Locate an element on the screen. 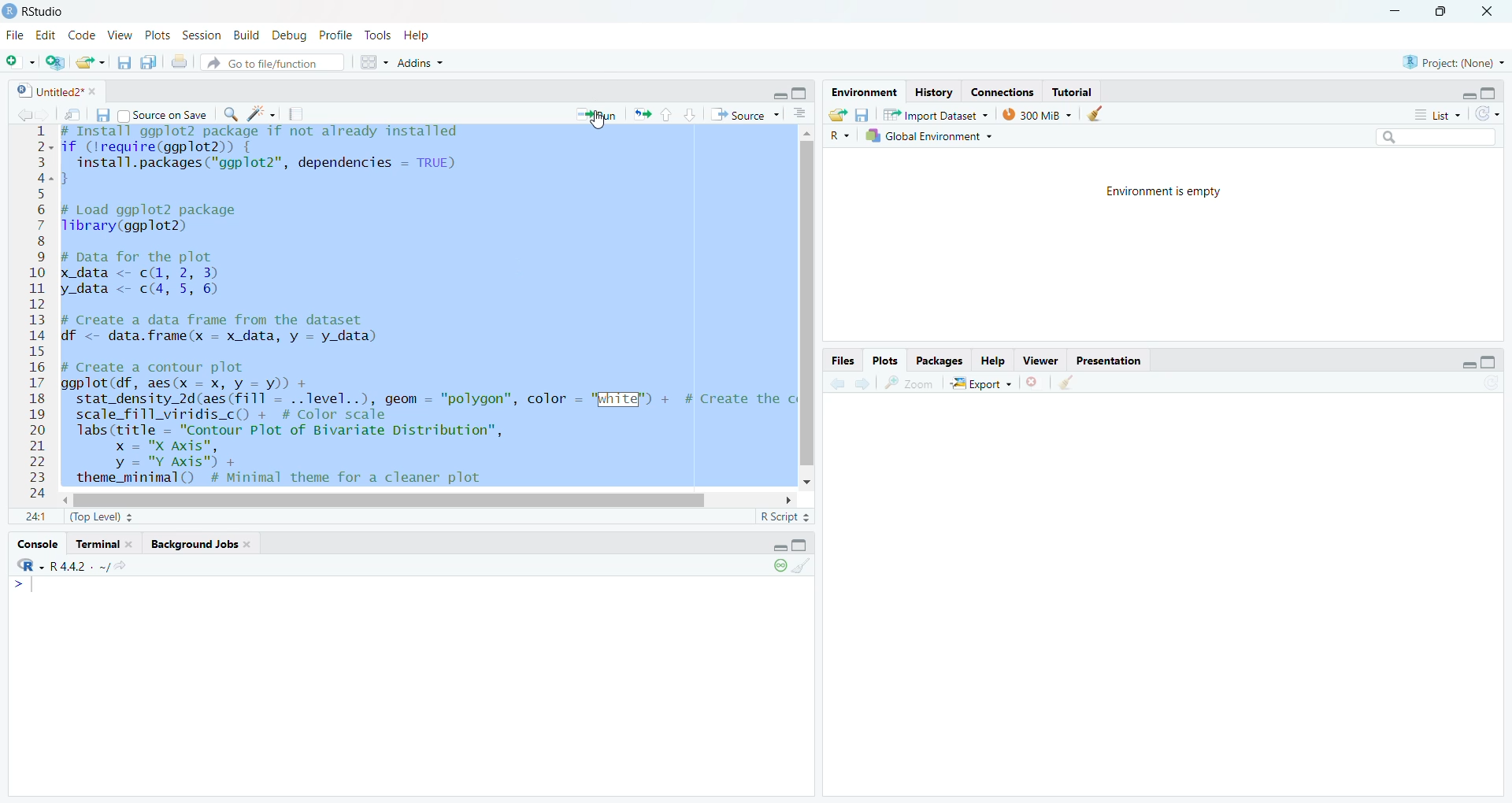   Export + is located at coordinates (981, 383).